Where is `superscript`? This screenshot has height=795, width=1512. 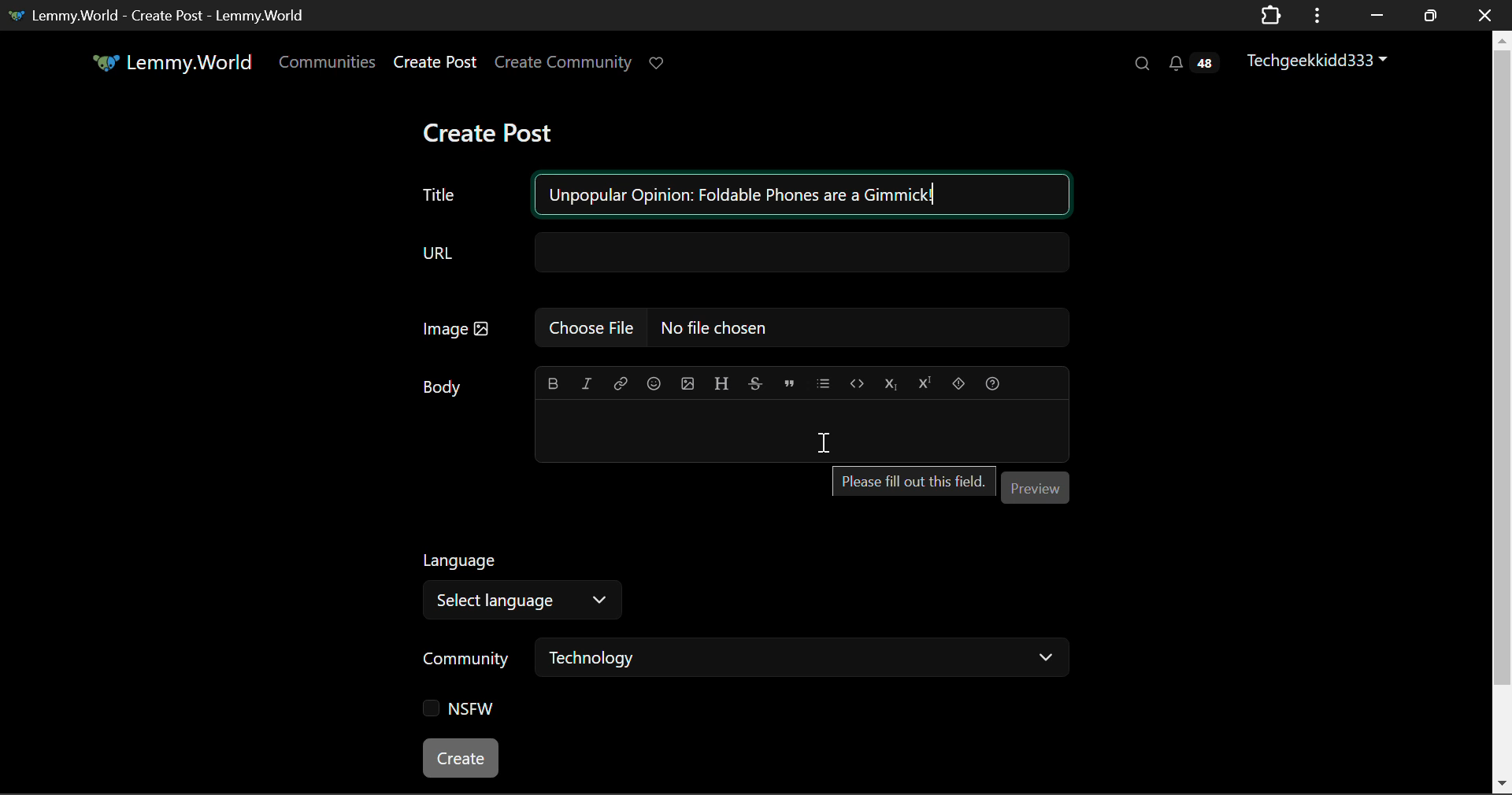 superscript is located at coordinates (922, 380).